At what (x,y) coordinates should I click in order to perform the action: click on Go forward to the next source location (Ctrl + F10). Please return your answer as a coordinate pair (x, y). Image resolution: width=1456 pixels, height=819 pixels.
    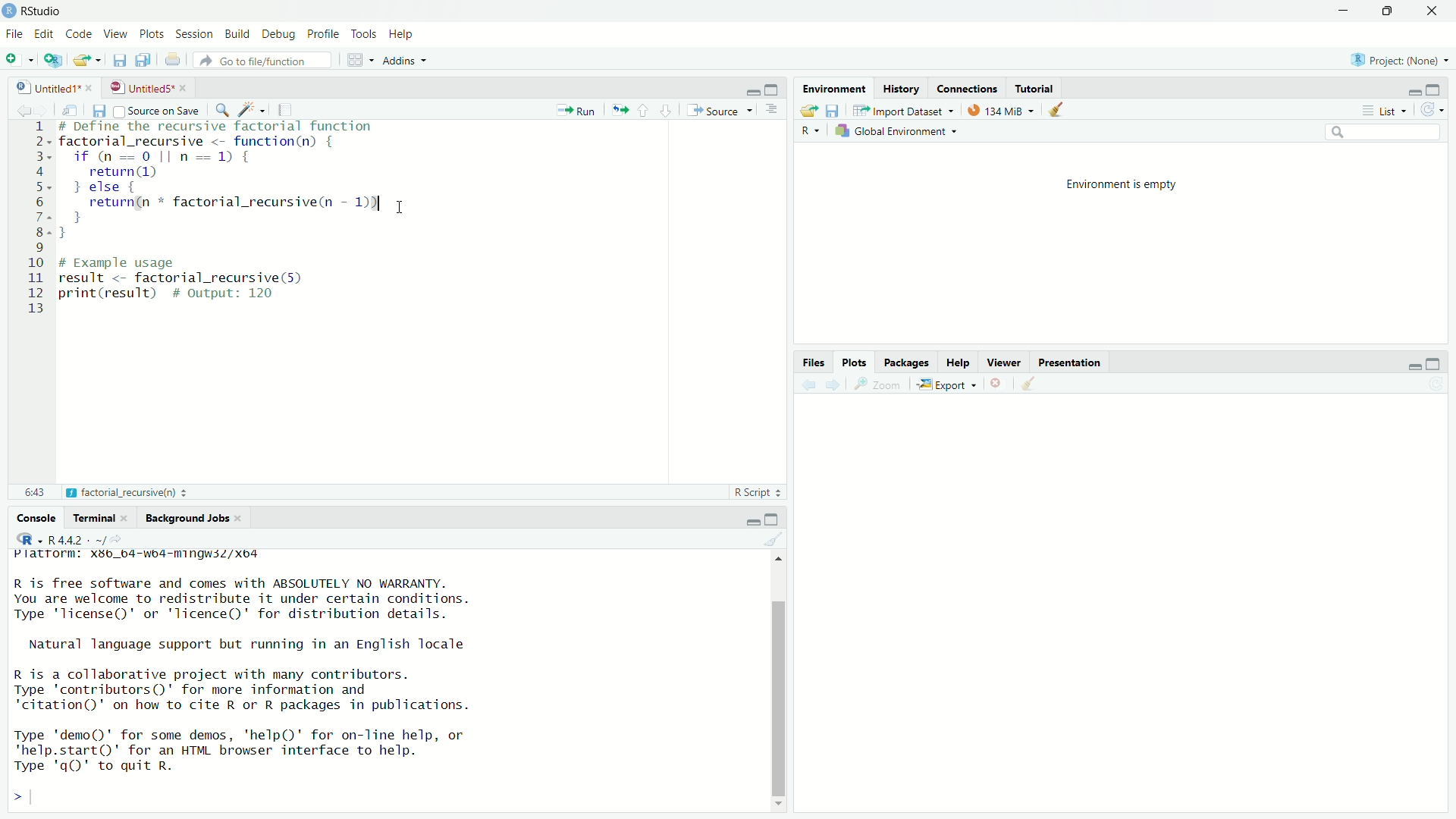
    Looking at the image, I should click on (836, 383).